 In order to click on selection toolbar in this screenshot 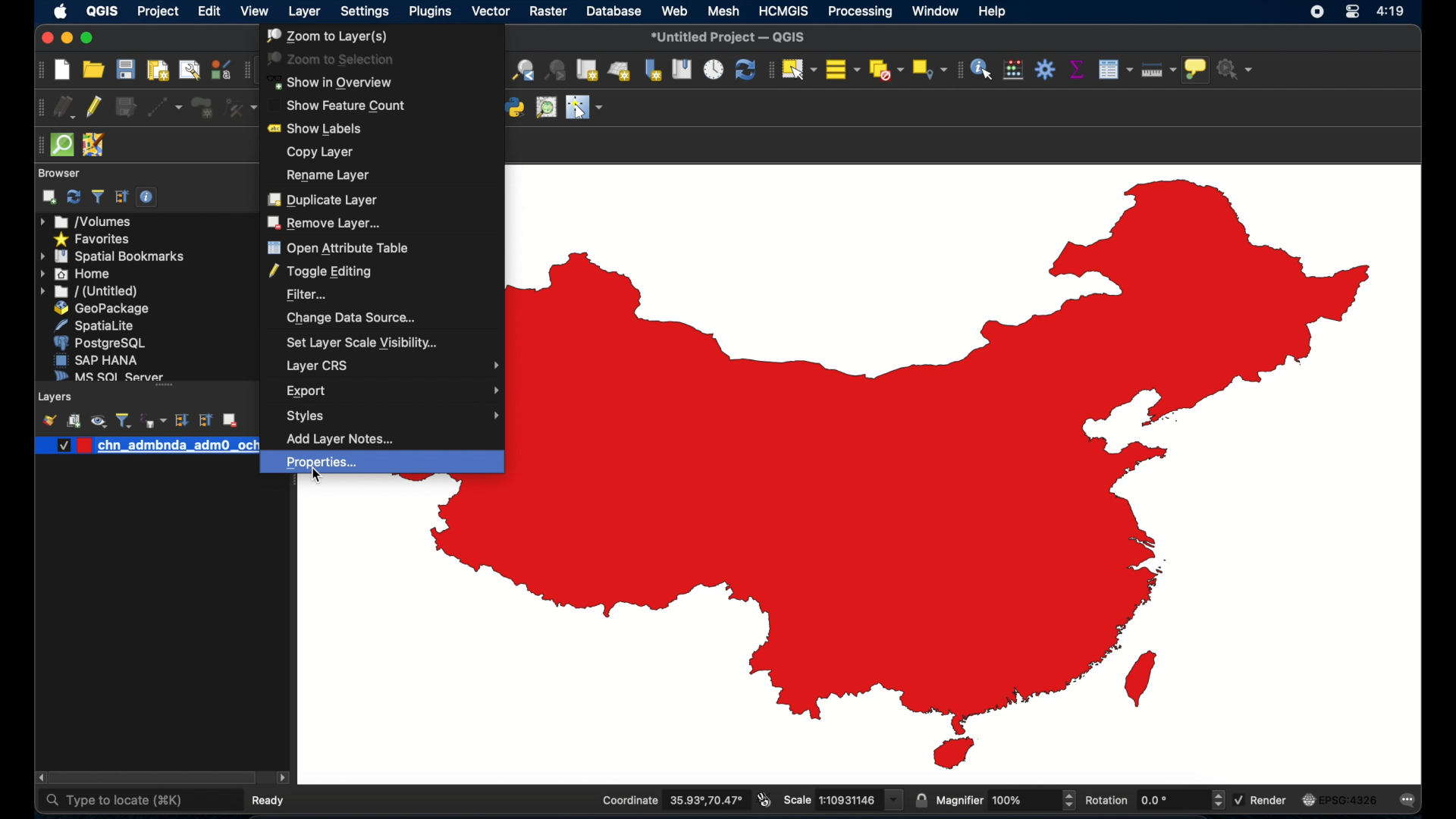, I will do `click(767, 71)`.